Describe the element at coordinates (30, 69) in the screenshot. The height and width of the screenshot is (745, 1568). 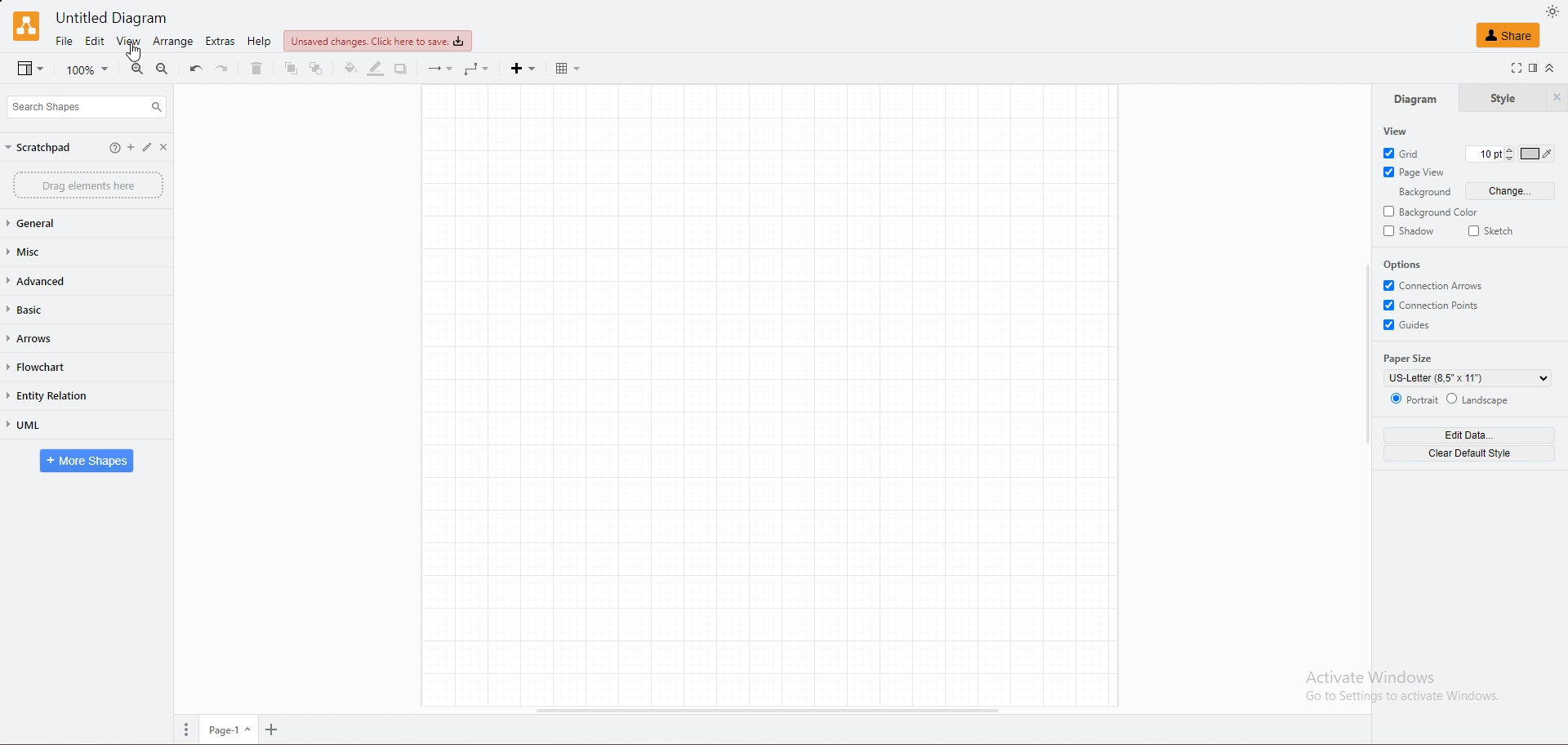
I see `view` at that location.